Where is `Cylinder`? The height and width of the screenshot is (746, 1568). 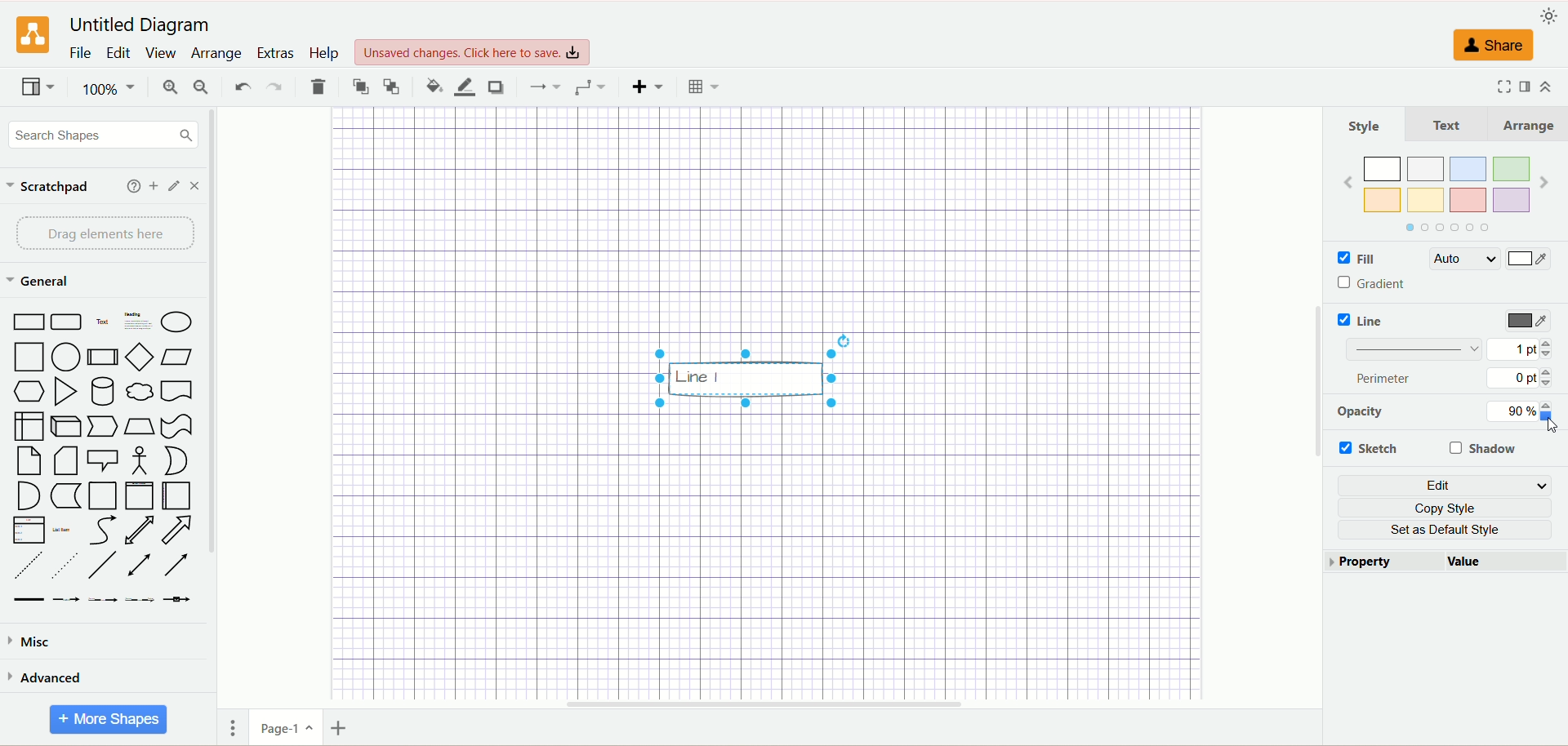 Cylinder is located at coordinates (102, 391).